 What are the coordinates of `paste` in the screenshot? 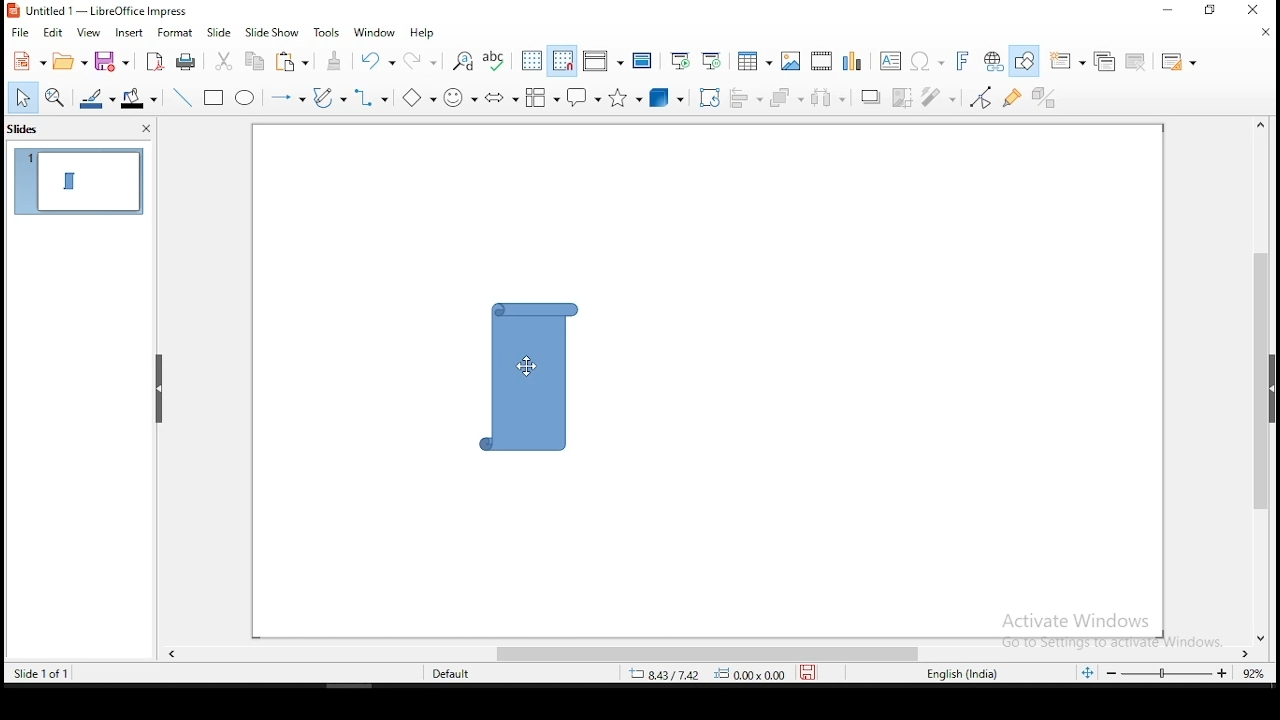 It's located at (295, 62).